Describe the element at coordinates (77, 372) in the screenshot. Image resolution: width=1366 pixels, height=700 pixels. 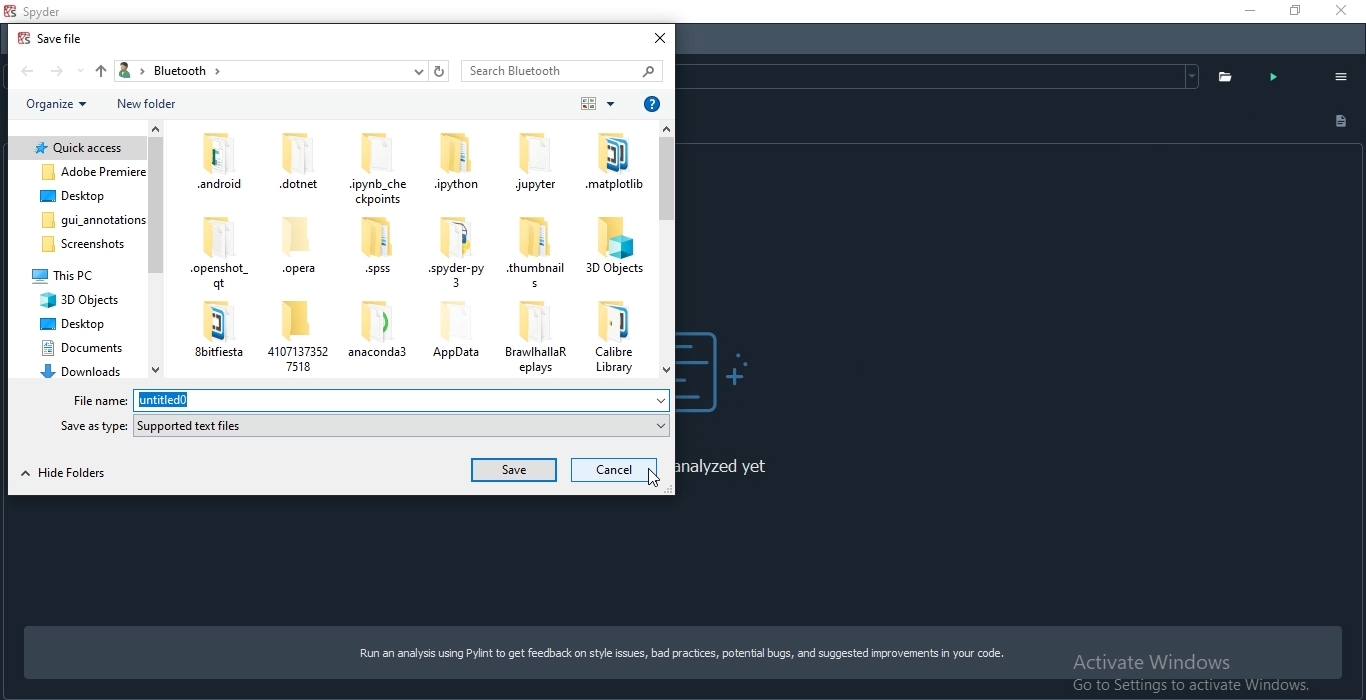
I see `downloads` at that location.